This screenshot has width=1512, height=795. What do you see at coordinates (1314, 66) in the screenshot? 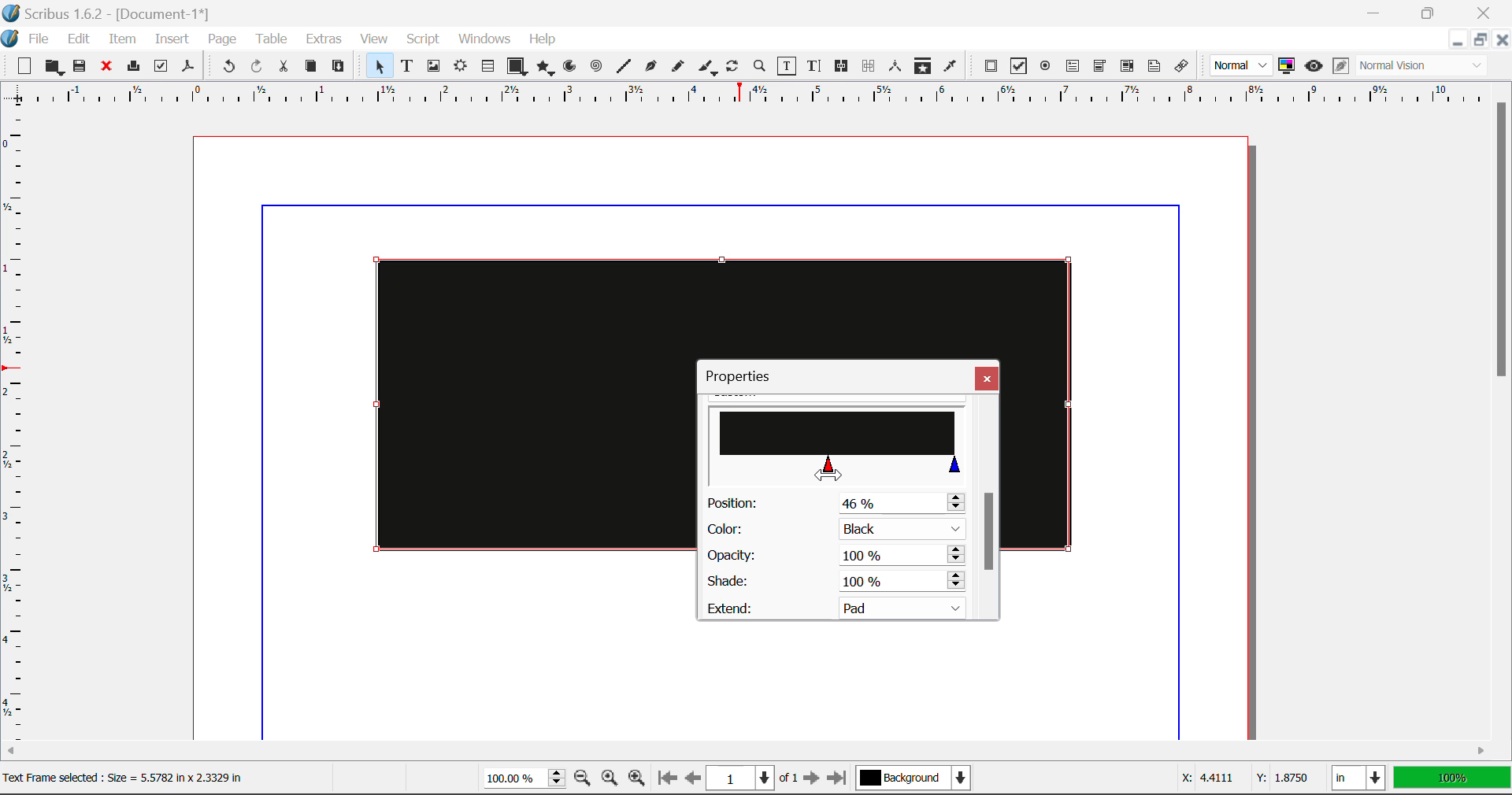
I see `Preview Mode` at bounding box center [1314, 66].